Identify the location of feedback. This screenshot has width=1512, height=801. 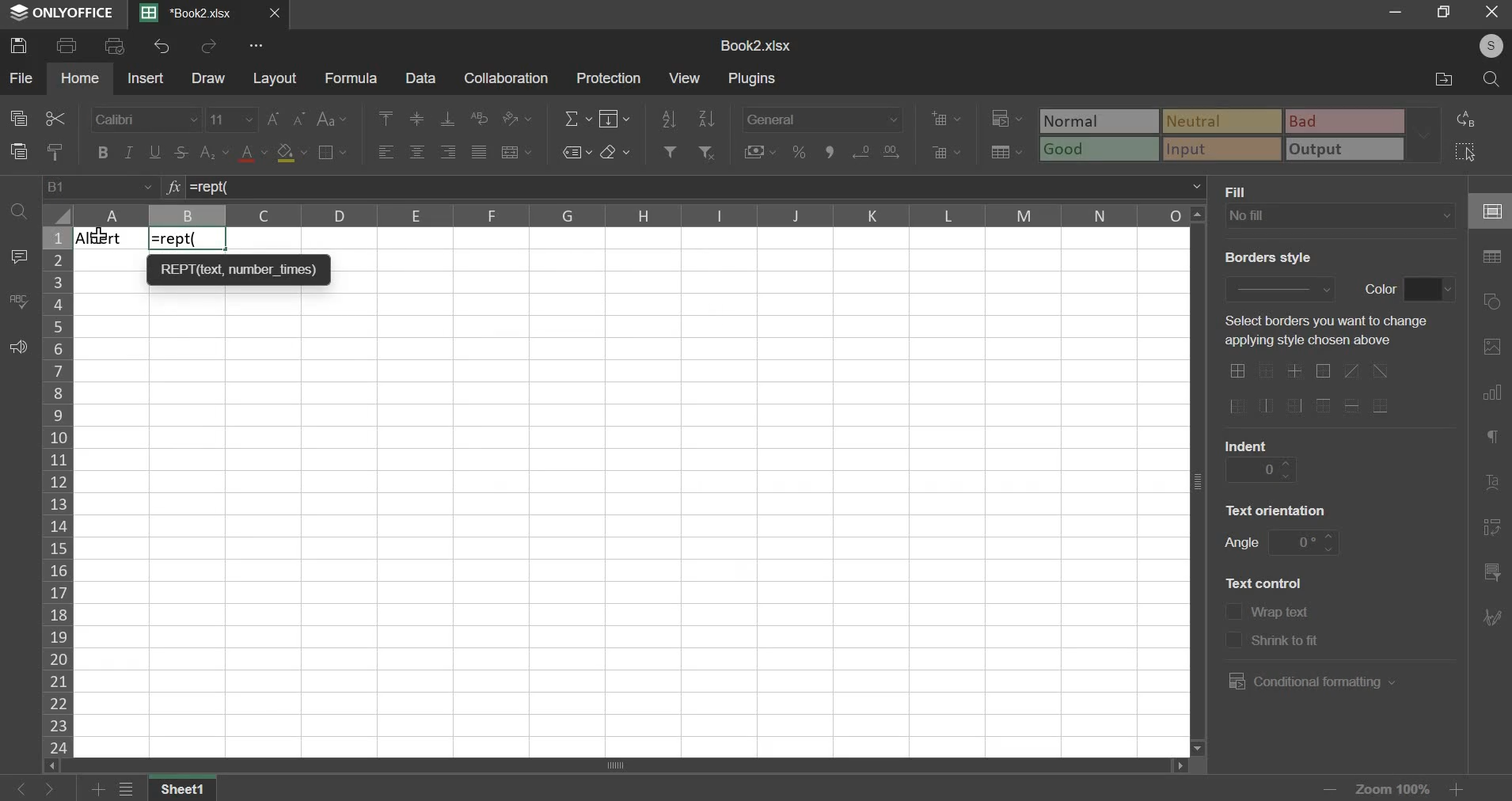
(17, 346).